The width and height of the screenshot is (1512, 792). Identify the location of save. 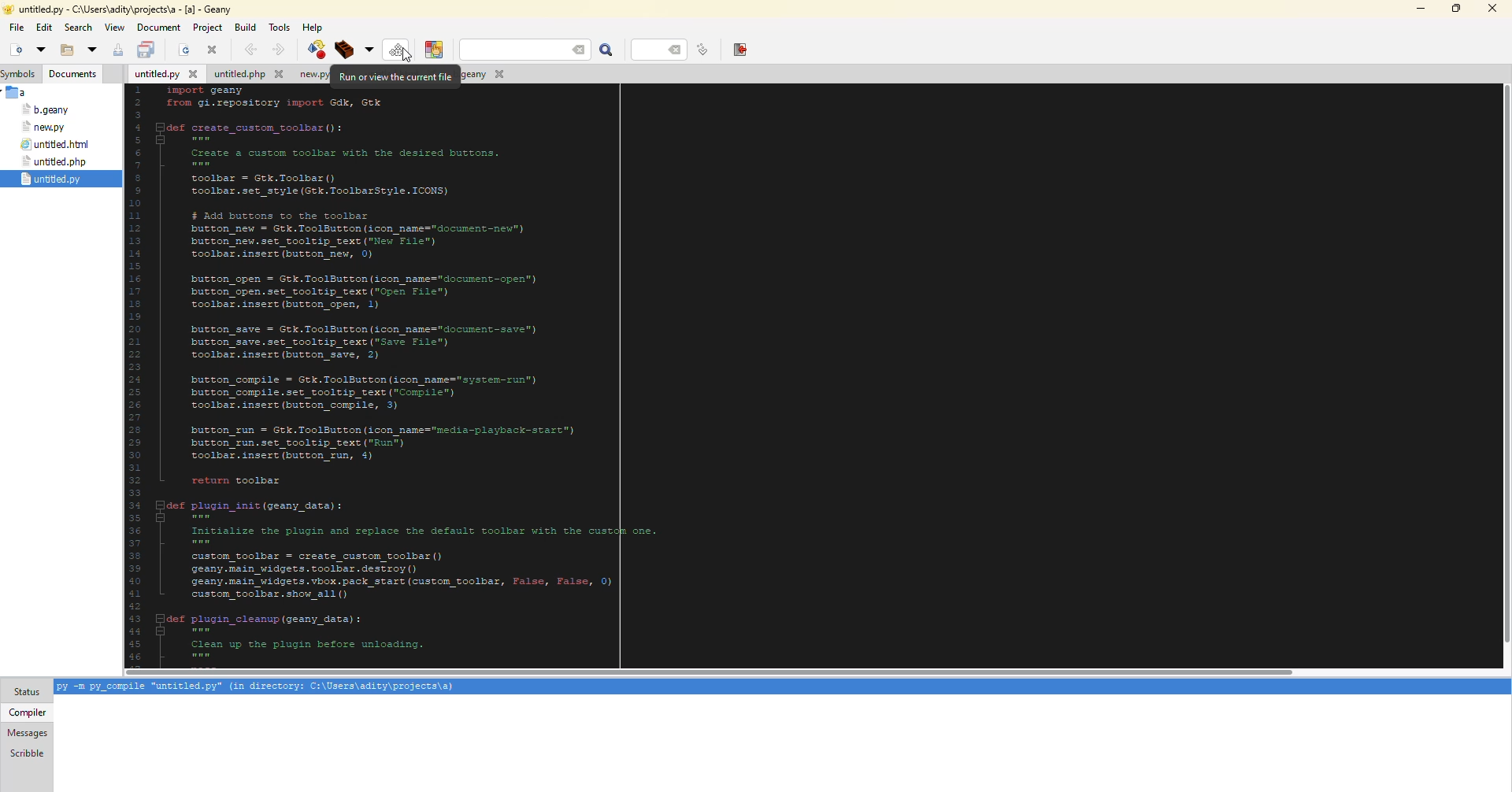
(117, 50).